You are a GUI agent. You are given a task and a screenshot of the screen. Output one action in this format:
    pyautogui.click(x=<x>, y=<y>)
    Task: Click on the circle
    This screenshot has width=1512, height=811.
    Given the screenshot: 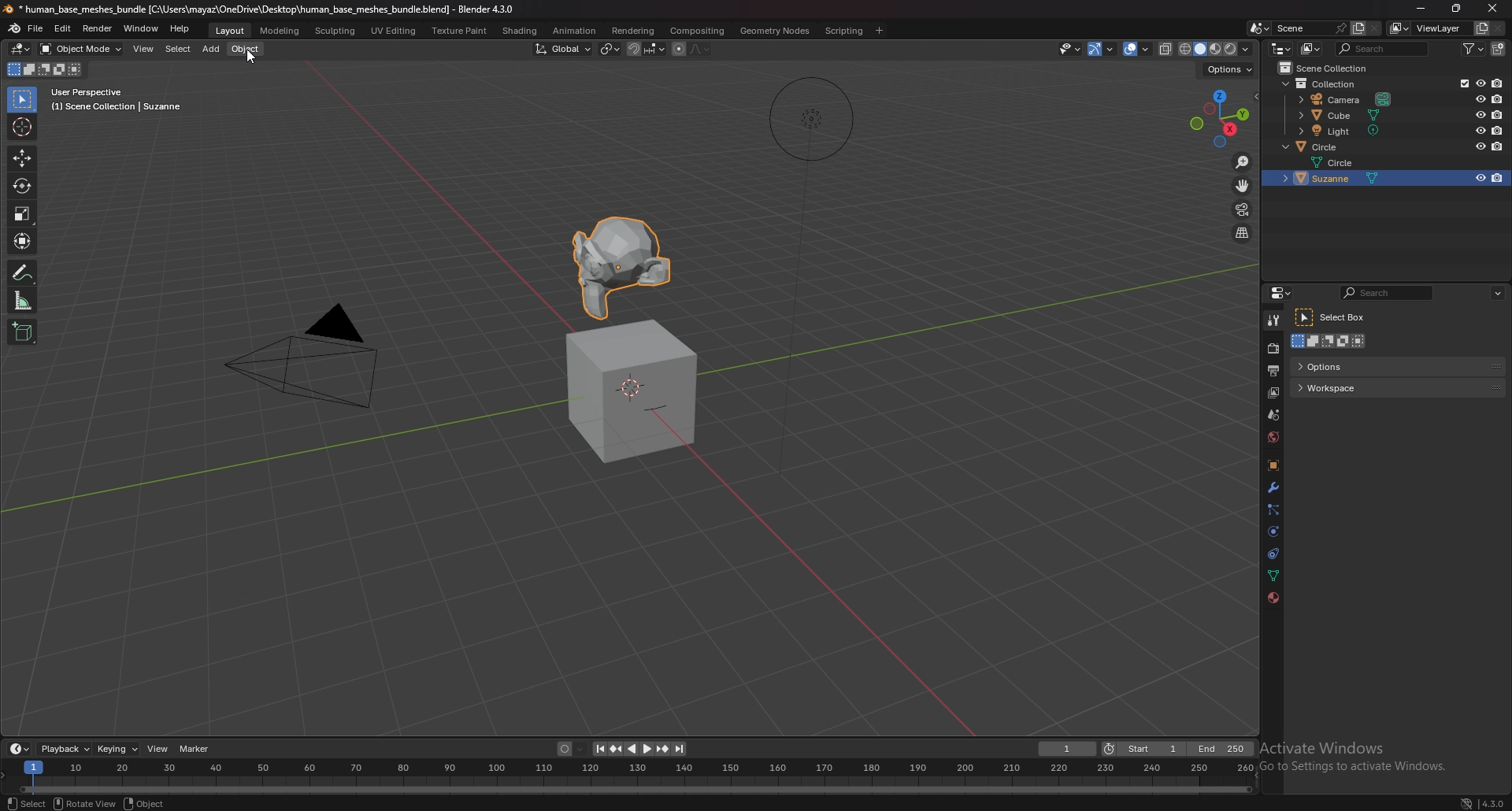 What is the action you would take?
    pyautogui.click(x=1321, y=146)
    